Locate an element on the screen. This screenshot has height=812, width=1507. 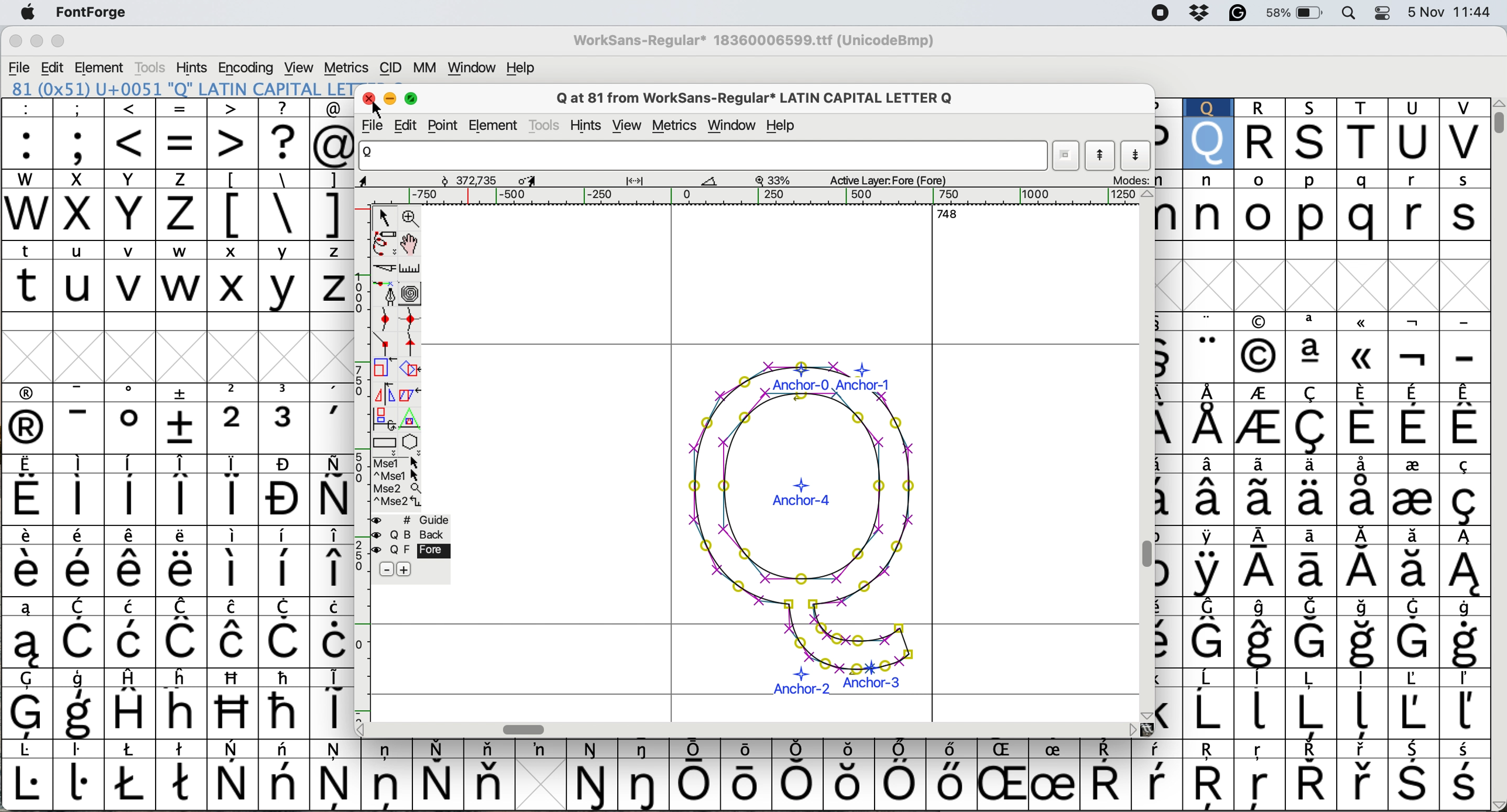
horizontal scroll bar is located at coordinates (527, 728).